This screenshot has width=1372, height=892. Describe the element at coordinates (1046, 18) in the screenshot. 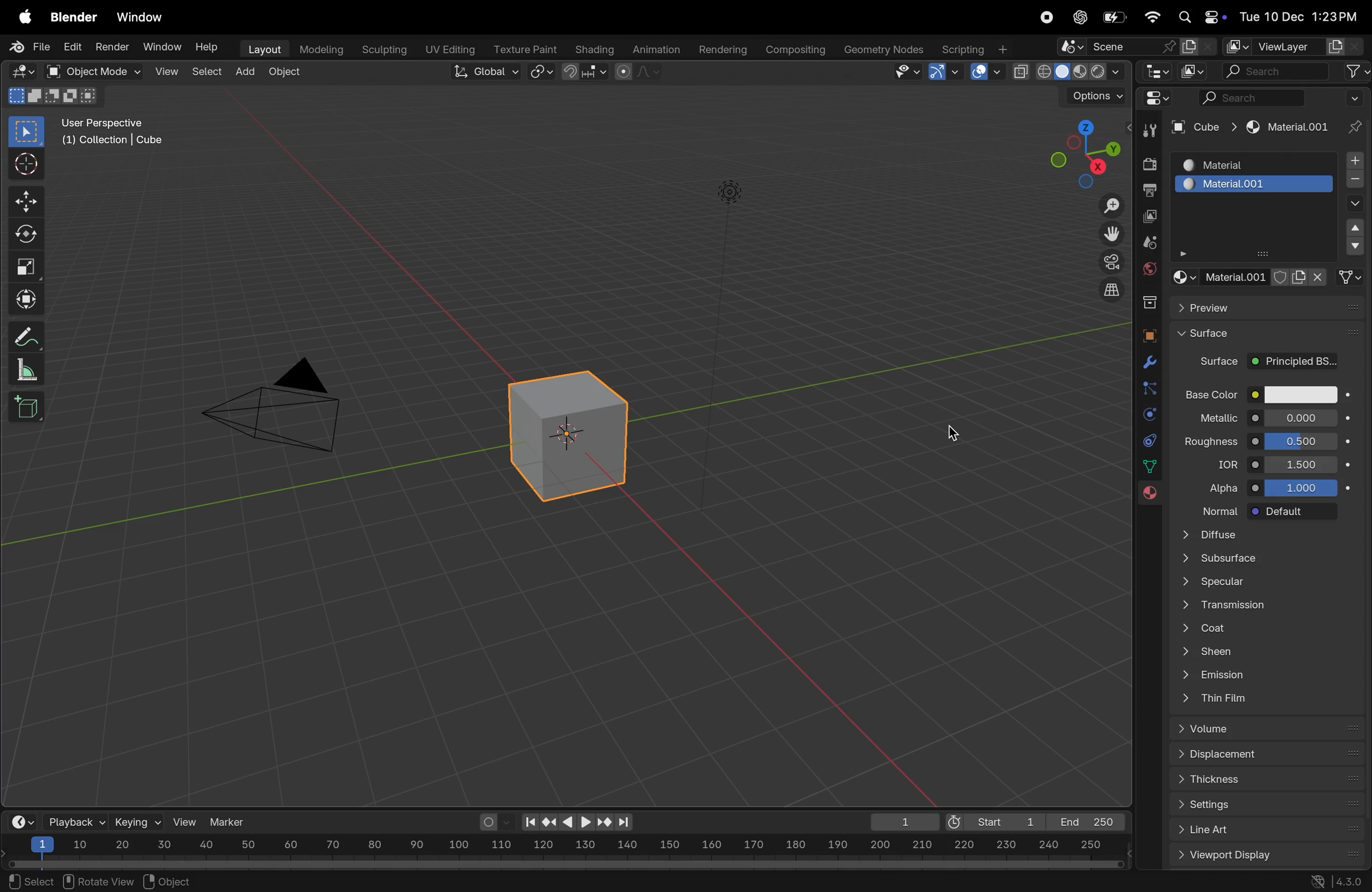

I see `record` at that location.